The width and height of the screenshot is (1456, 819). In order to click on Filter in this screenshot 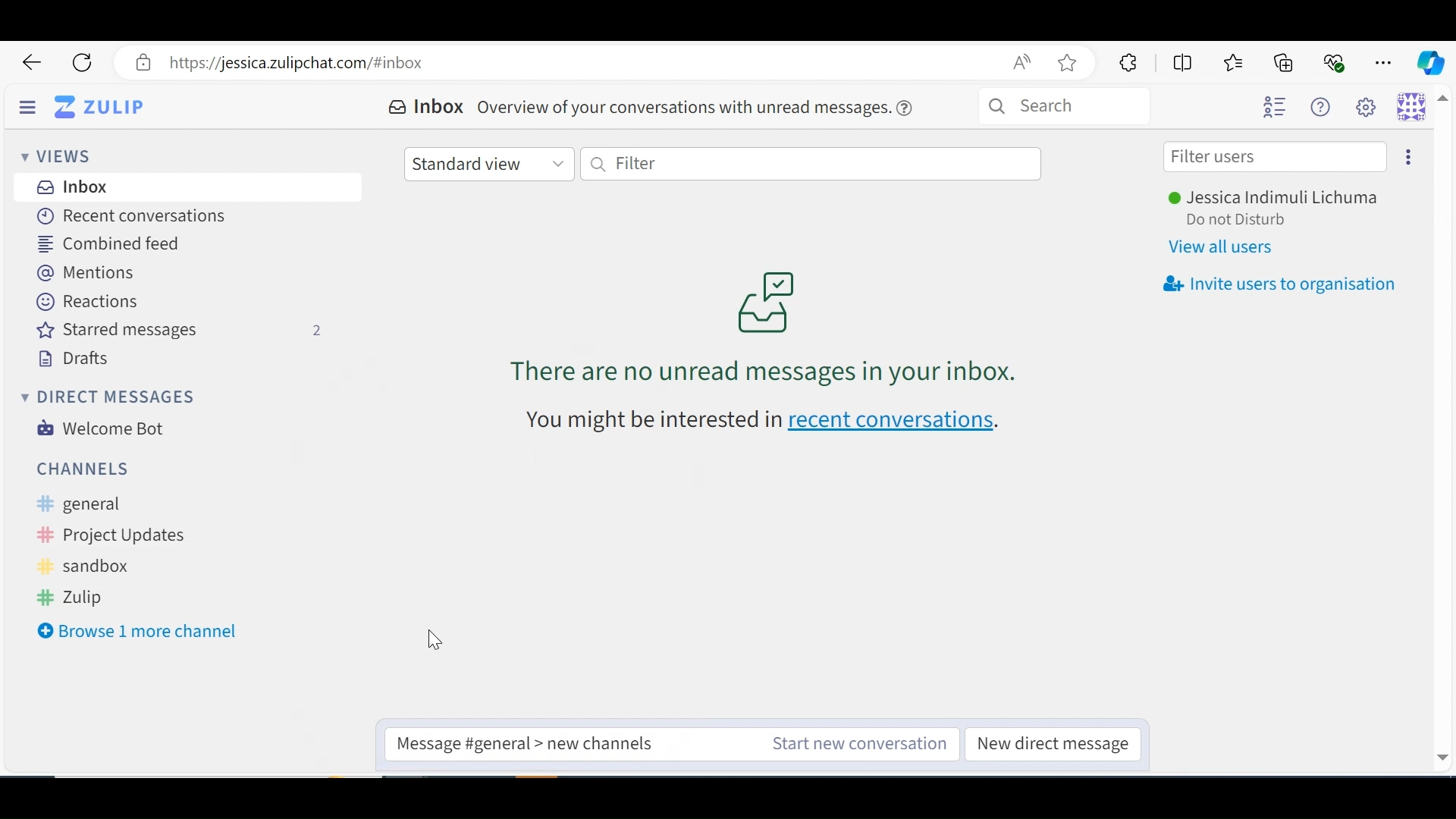, I will do `click(813, 165)`.